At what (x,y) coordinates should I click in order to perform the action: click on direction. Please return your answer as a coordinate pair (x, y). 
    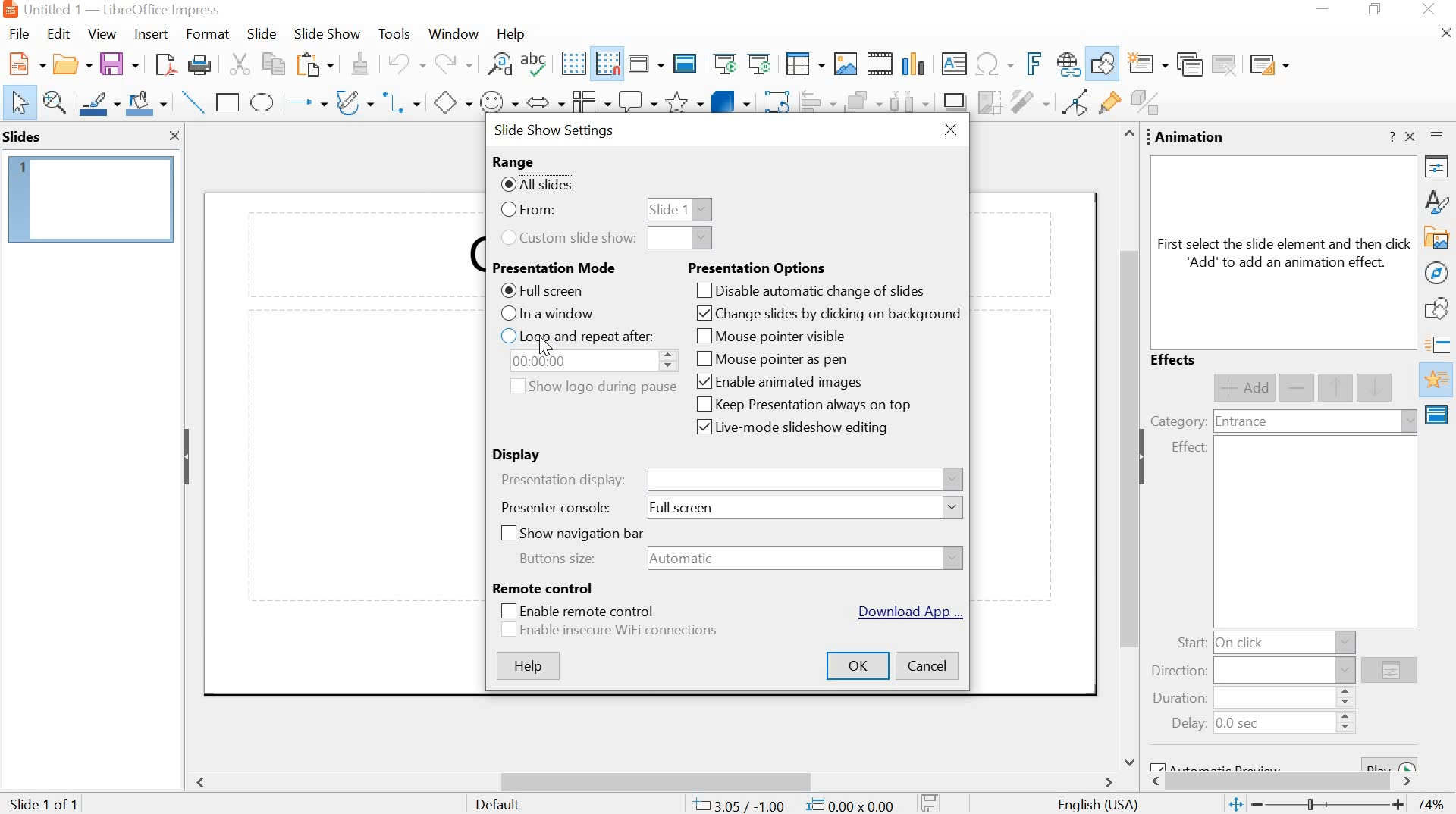
    Looking at the image, I should click on (1180, 672).